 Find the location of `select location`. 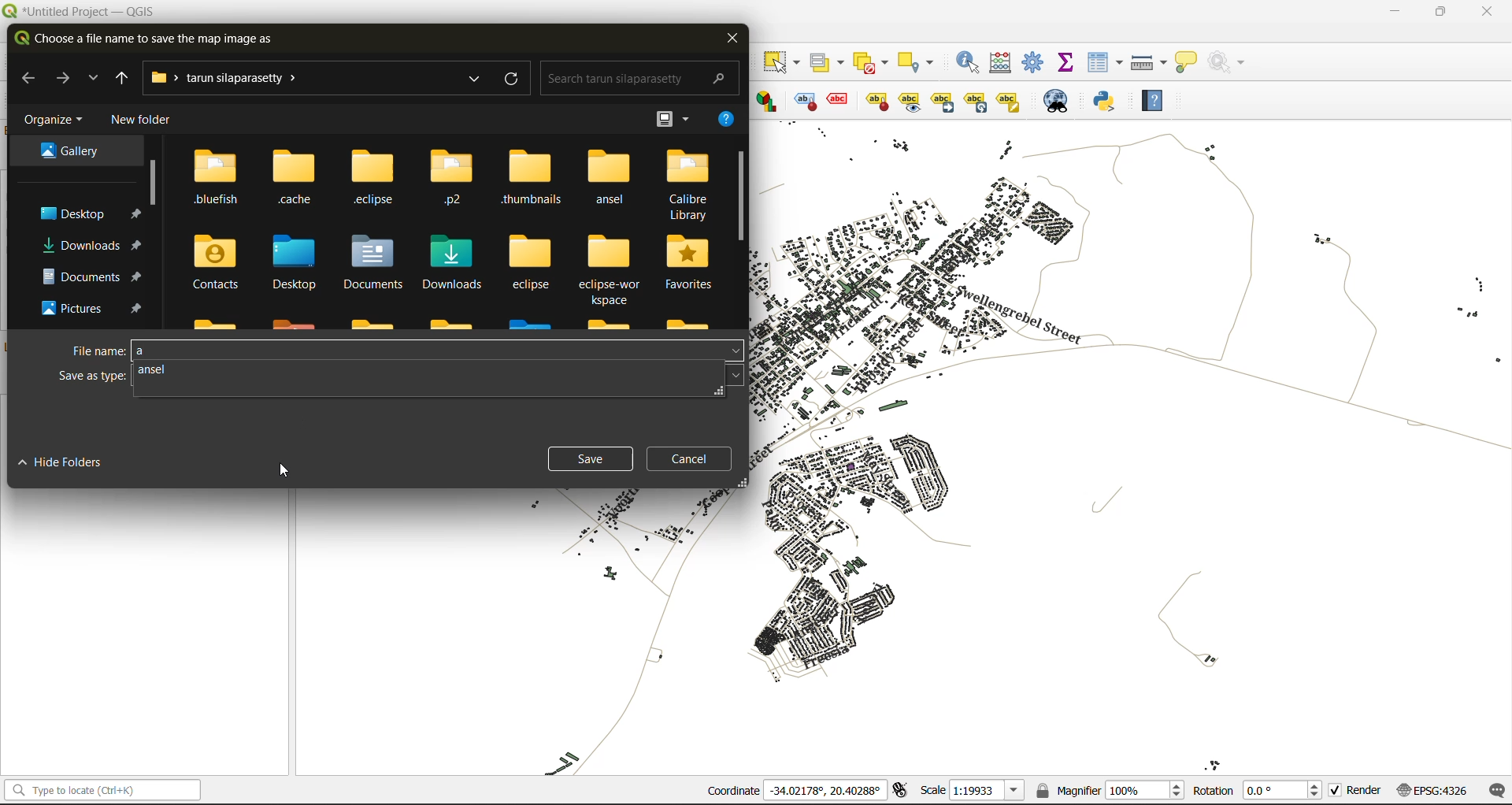

select location is located at coordinates (921, 61).